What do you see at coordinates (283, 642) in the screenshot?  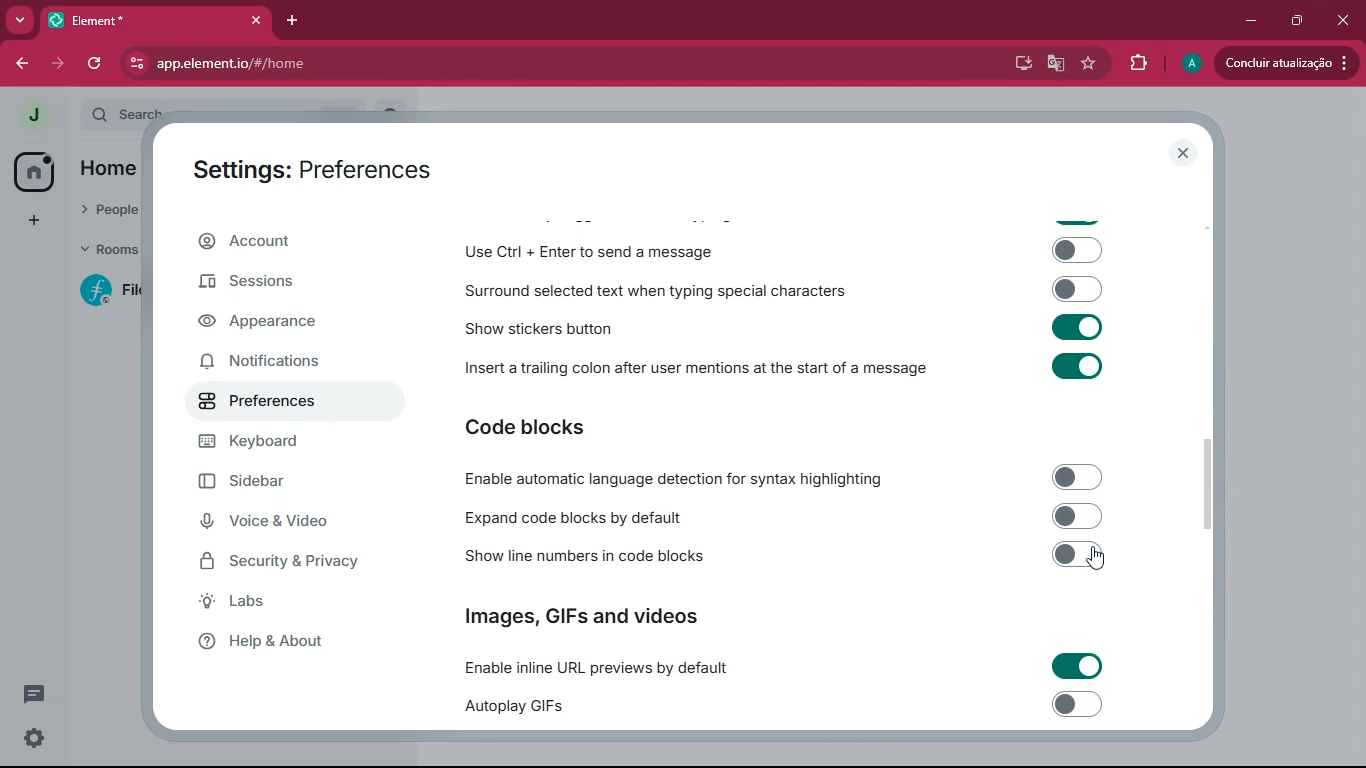 I see `help ` at bounding box center [283, 642].